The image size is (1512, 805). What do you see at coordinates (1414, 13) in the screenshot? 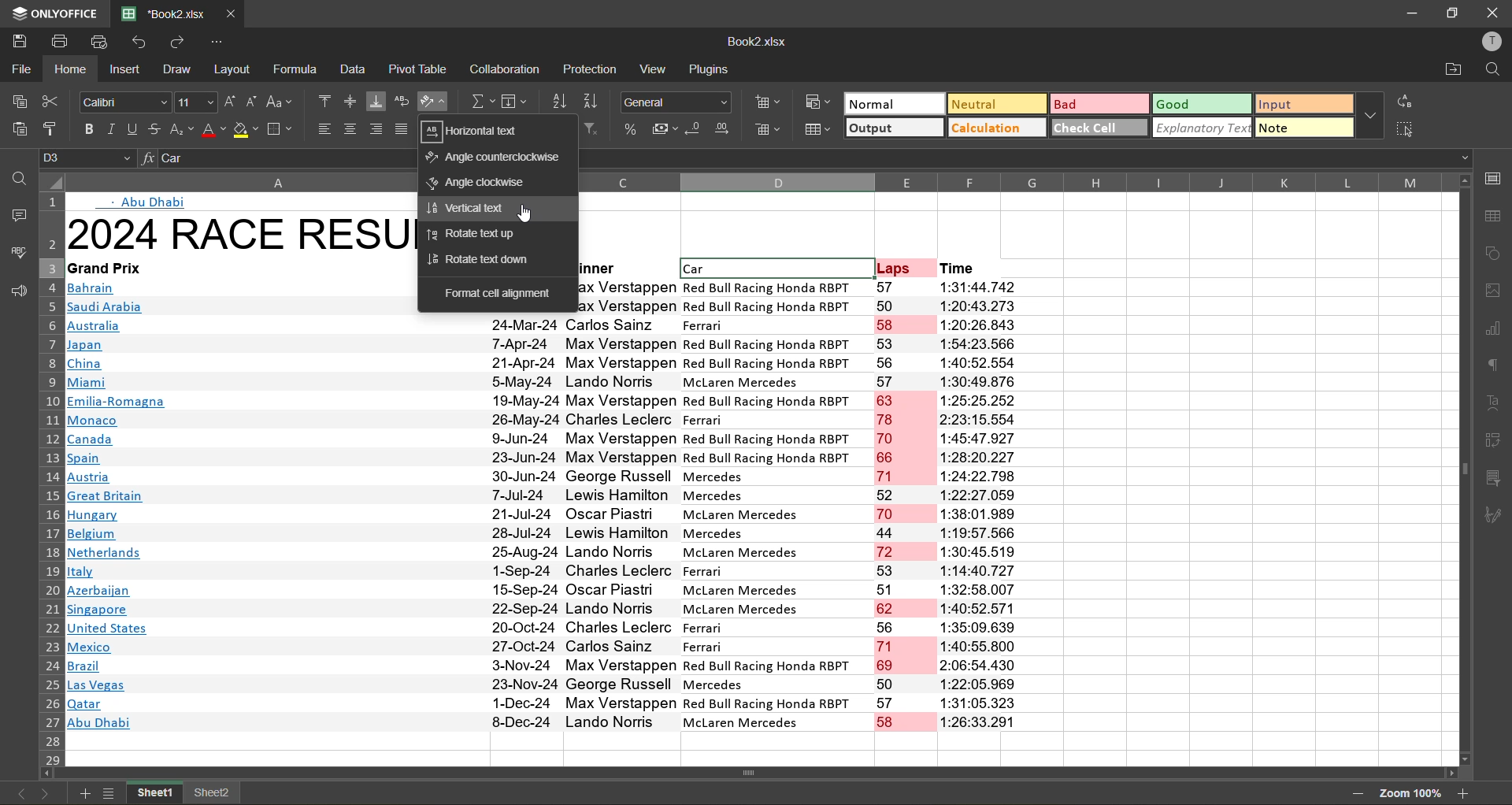
I see `minimize` at bounding box center [1414, 13].